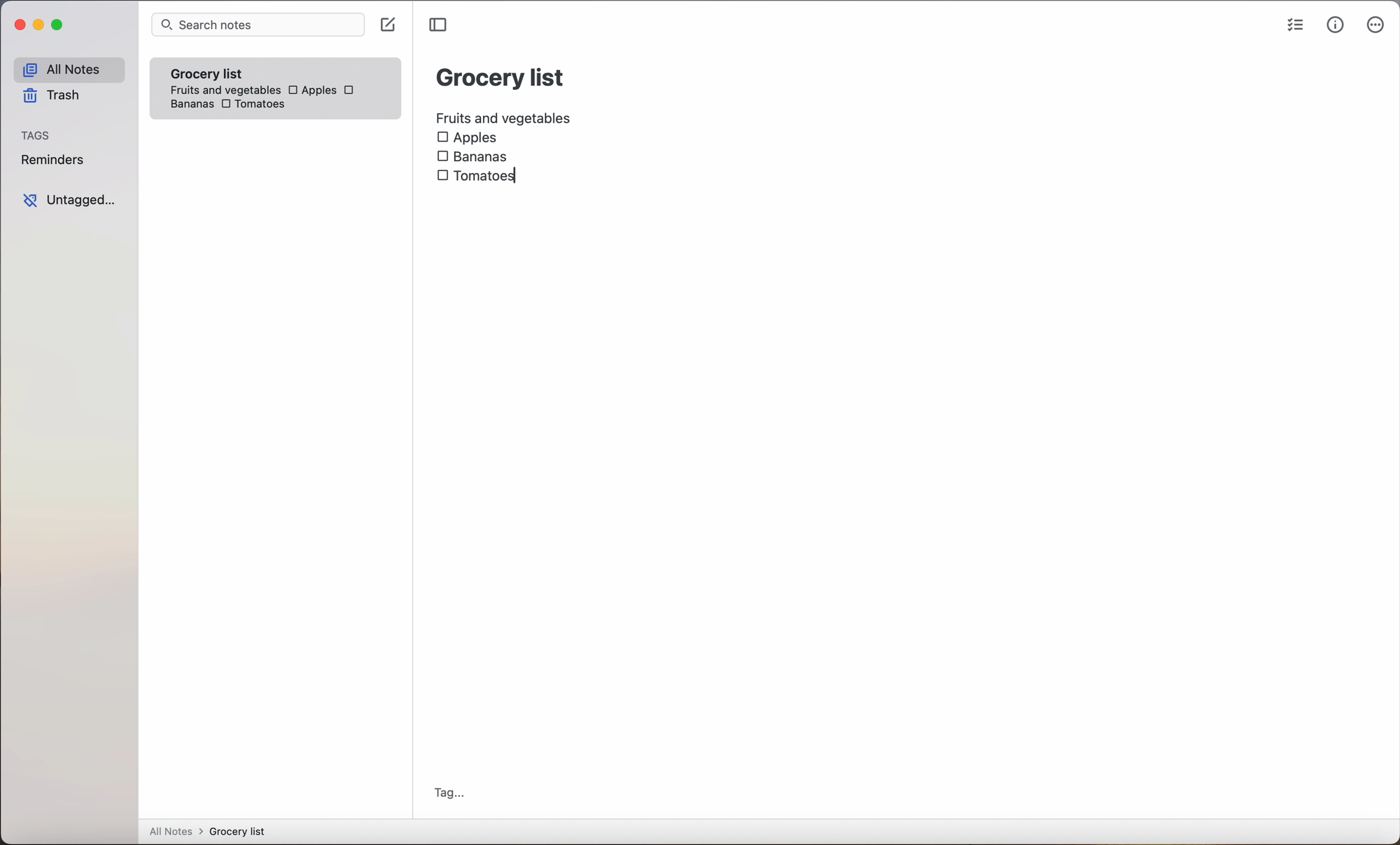  What do you see at coordinates (222, 77) in the screenshot?
I see `grocery list note fruits and vegetables` at bounding box center [222, 77].